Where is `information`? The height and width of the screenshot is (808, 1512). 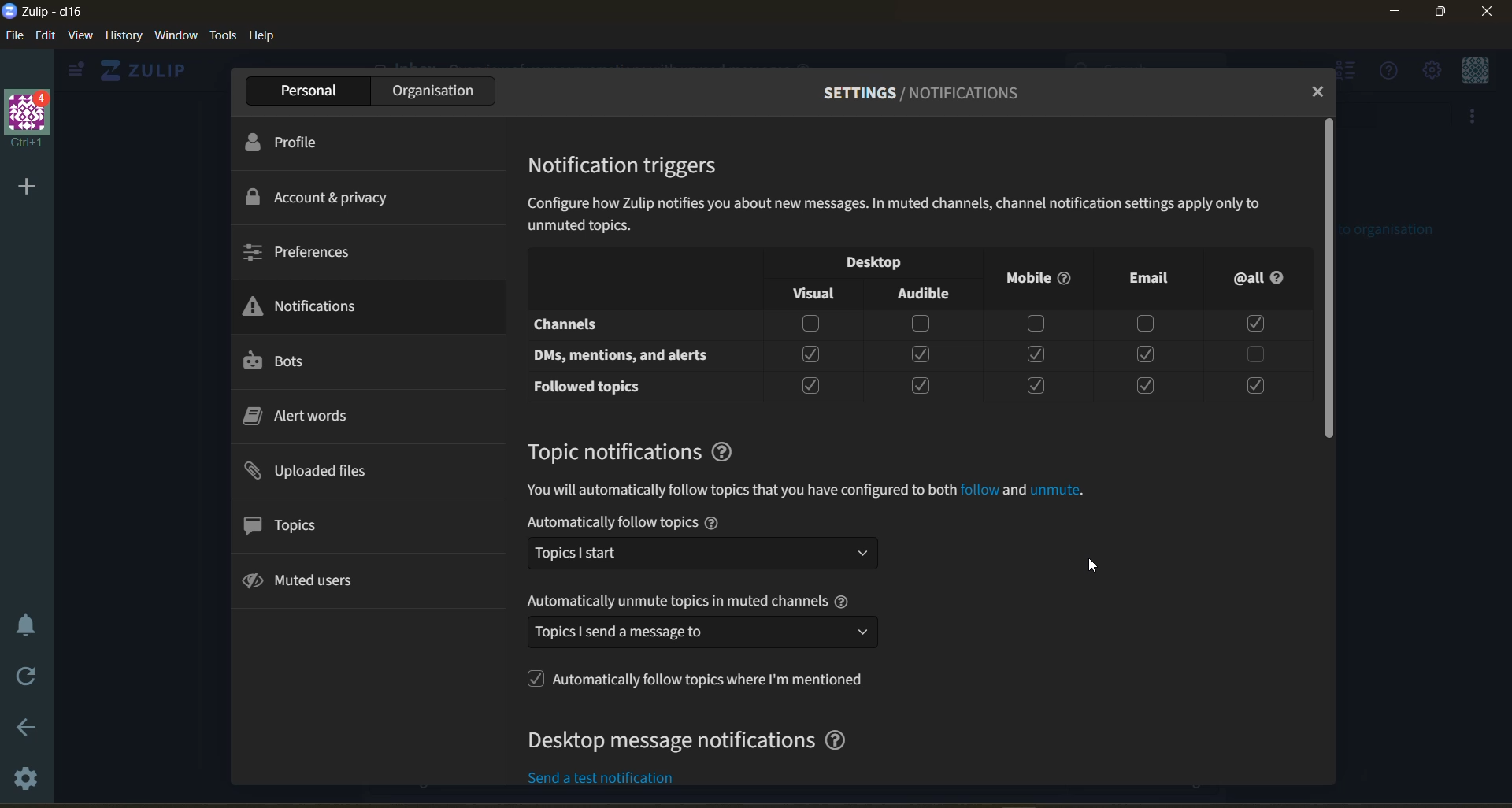
information is located at coordinates (916, 214).